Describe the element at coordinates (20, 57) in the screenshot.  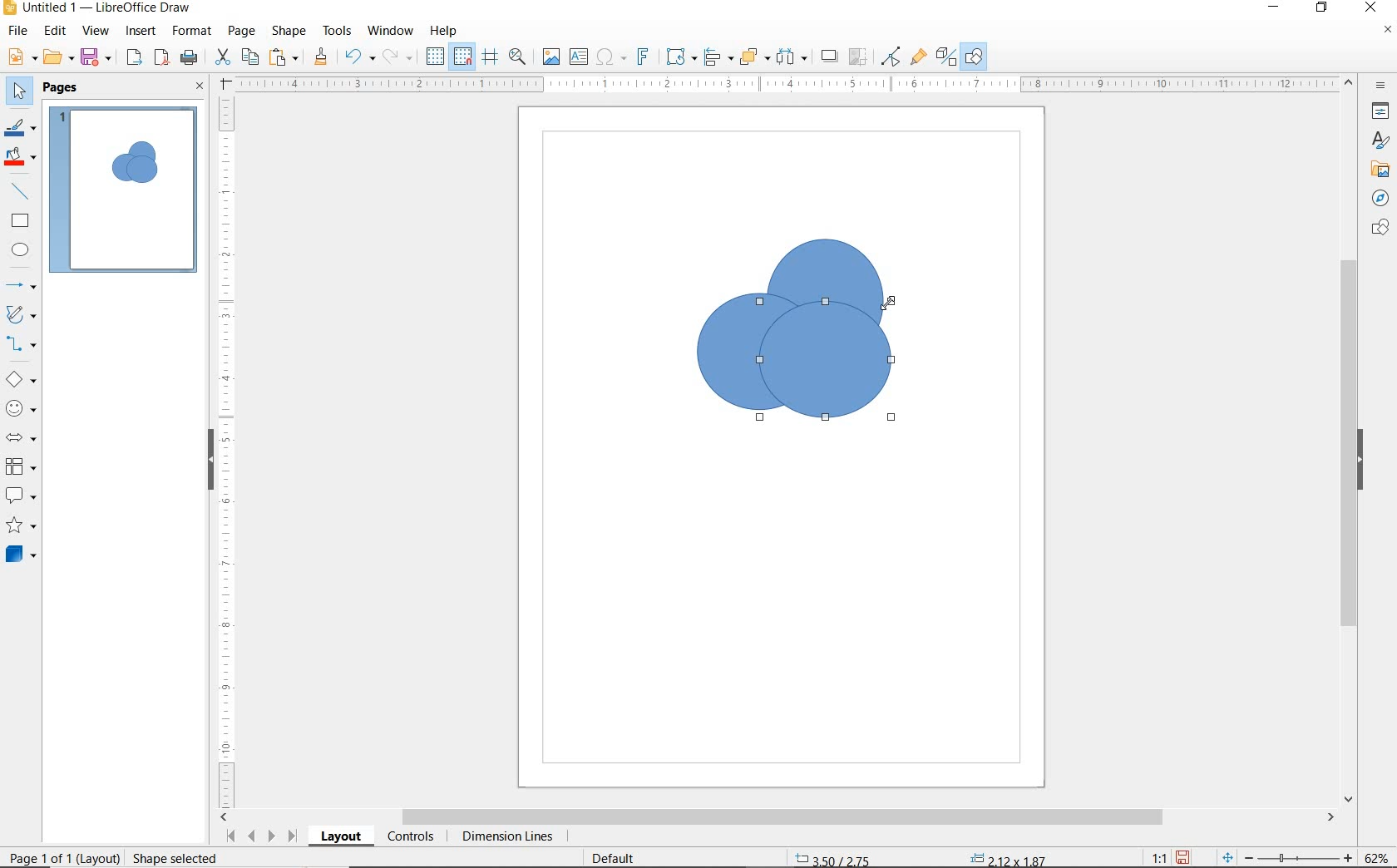
I see `NEW` at that location.